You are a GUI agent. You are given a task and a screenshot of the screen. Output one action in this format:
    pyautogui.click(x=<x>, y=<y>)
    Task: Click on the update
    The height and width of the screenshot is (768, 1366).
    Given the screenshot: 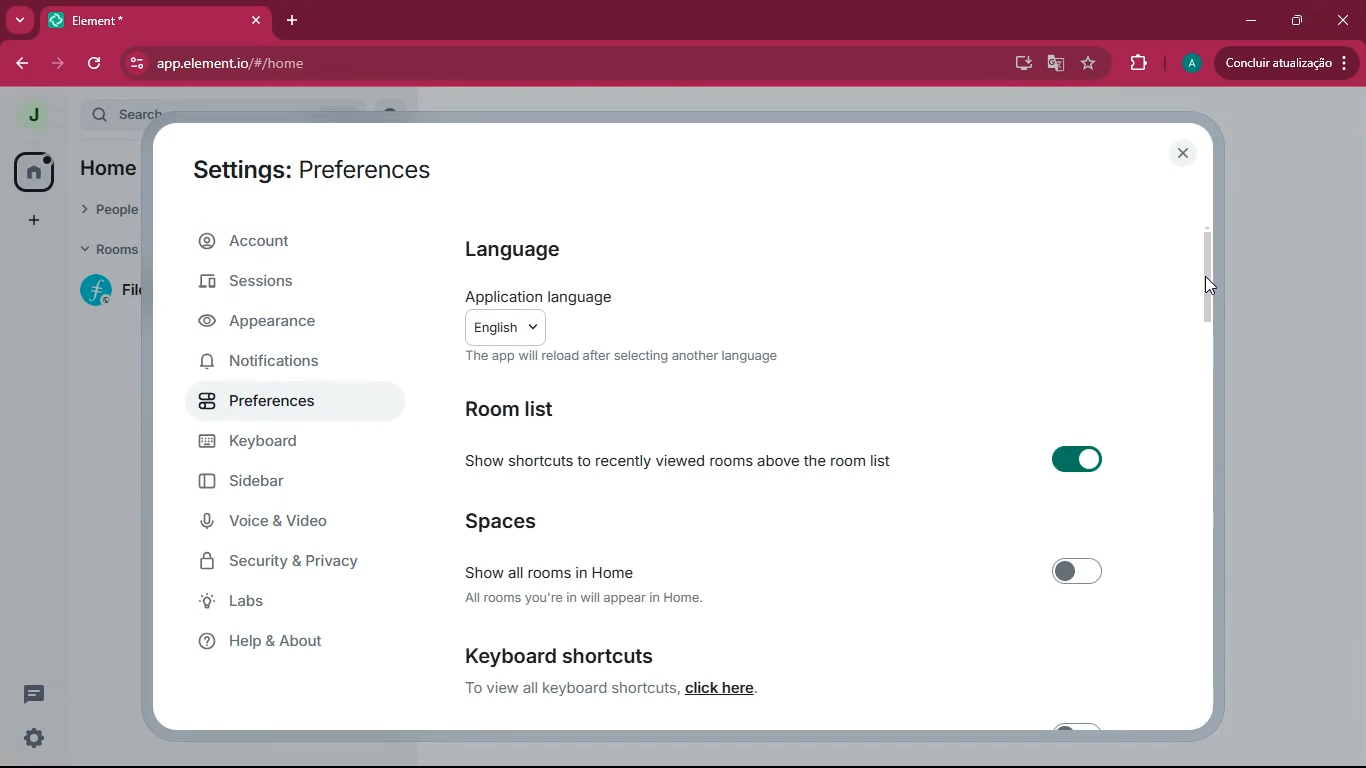 What is the action you would take?
    pyautogui.click(x=1283, y=63)
    